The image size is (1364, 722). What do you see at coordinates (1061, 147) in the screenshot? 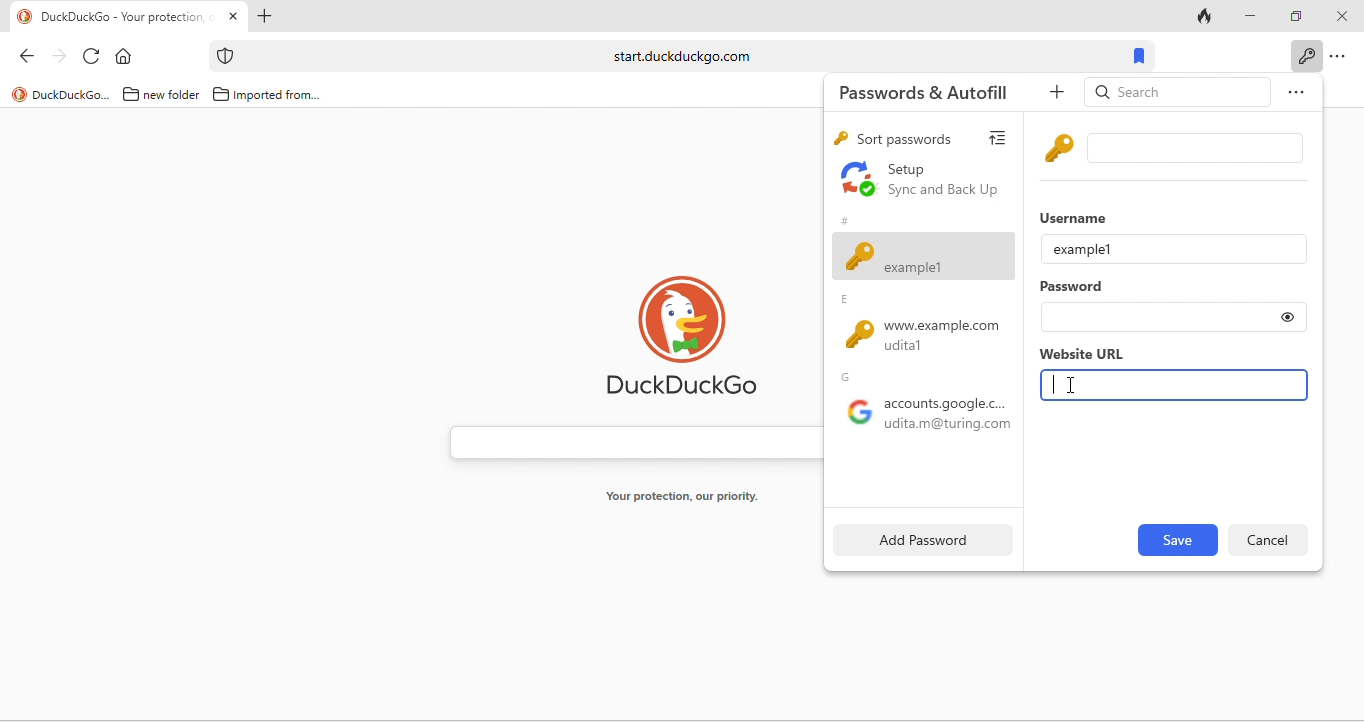
I see `key icon` at bounding box center [1061, 147].